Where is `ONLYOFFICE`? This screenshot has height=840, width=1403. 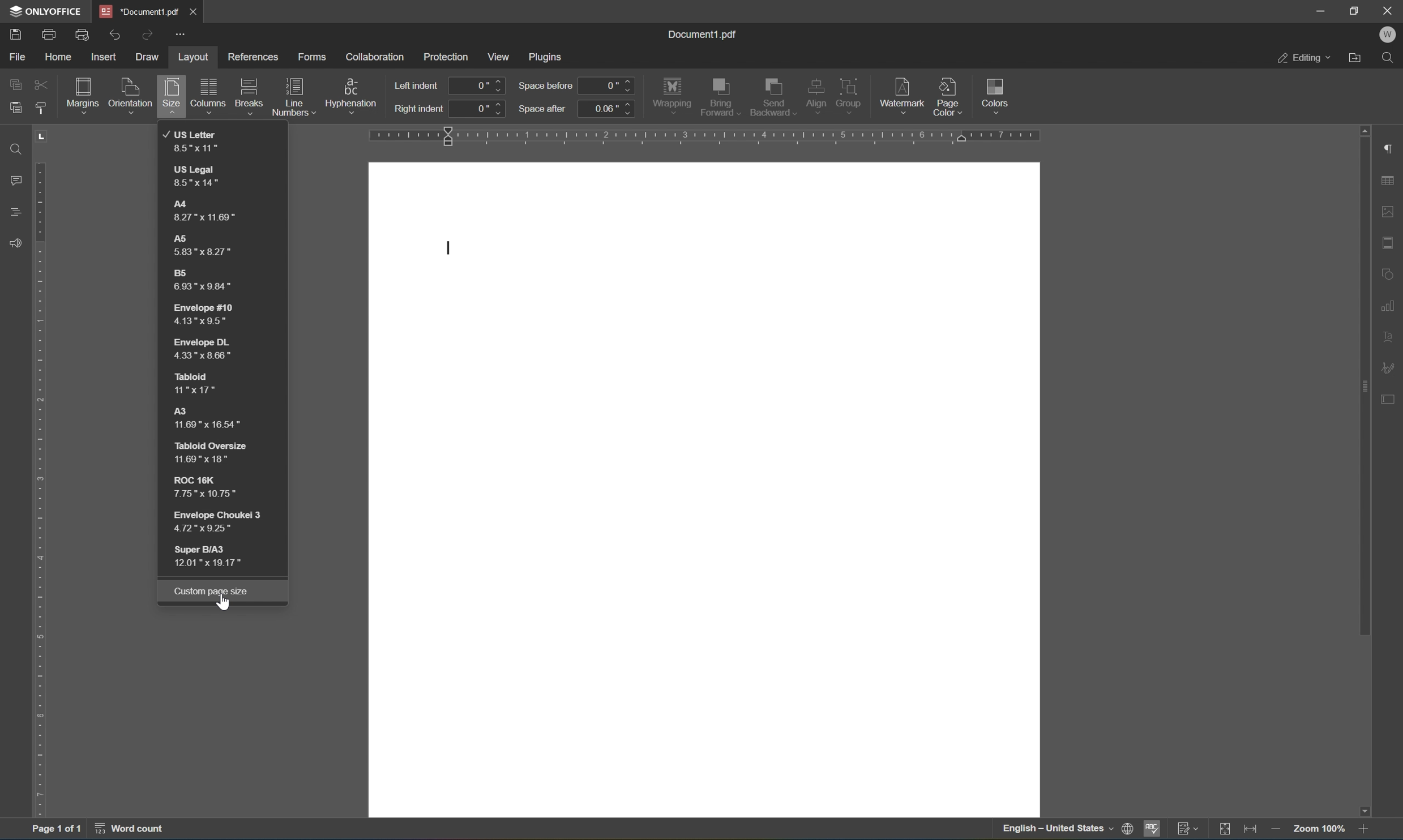
ONLYOFFICE is located at coordinates (44, 11).